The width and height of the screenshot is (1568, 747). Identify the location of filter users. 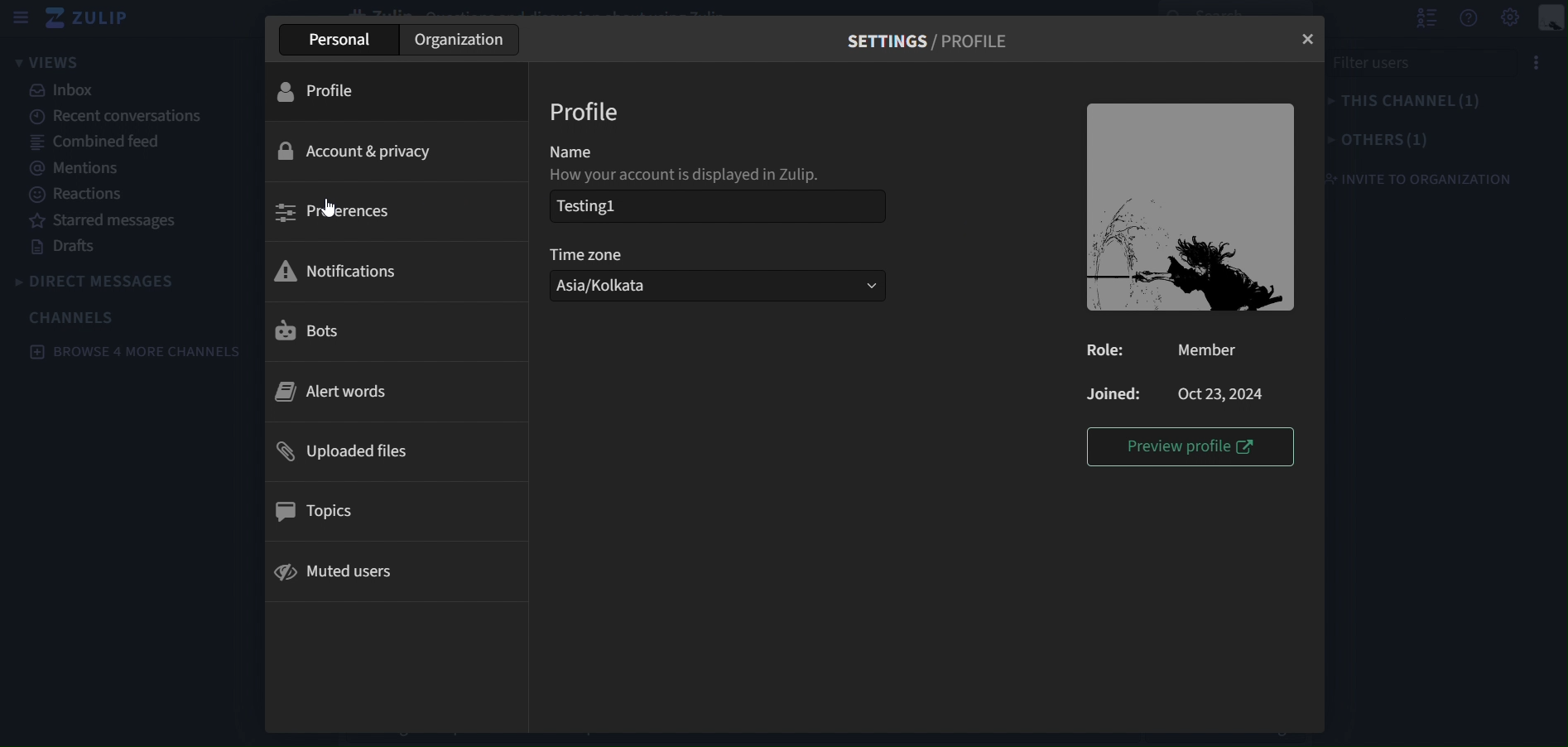
(1422, 62).